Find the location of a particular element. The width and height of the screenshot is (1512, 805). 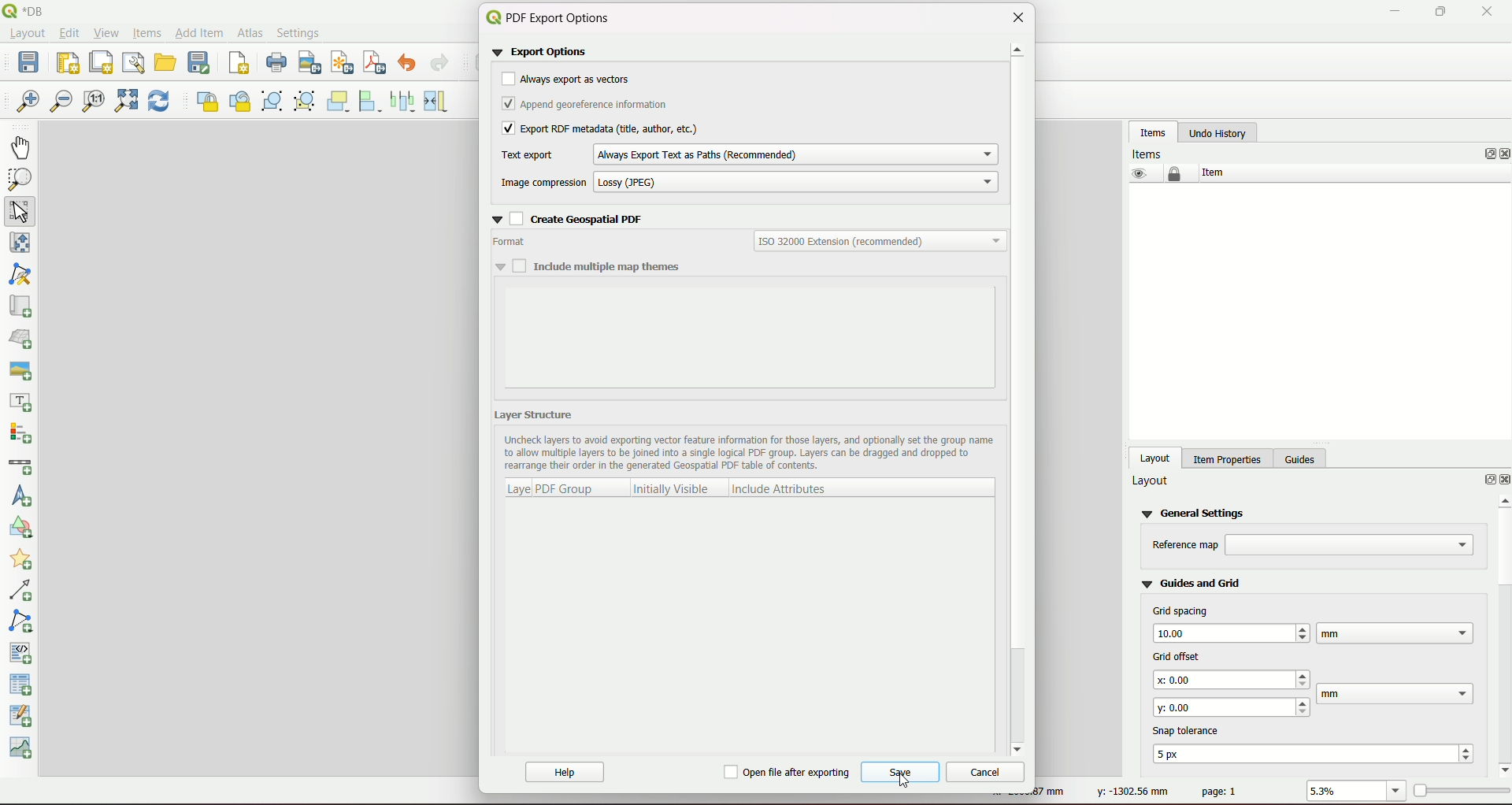

text box is located at coordinates (1232, 706).